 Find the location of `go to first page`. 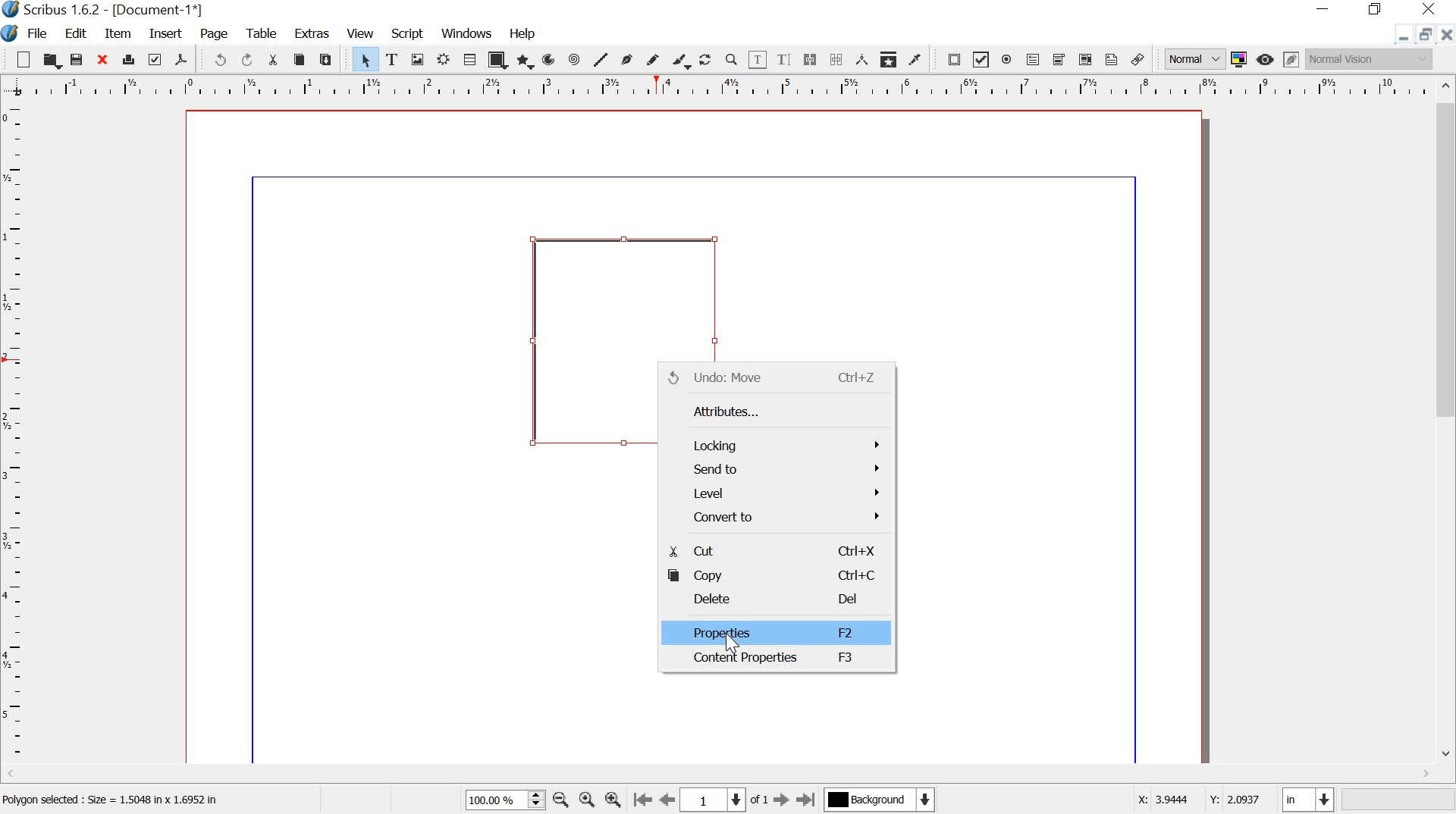

go to first page is located at coordinates (642, 800).